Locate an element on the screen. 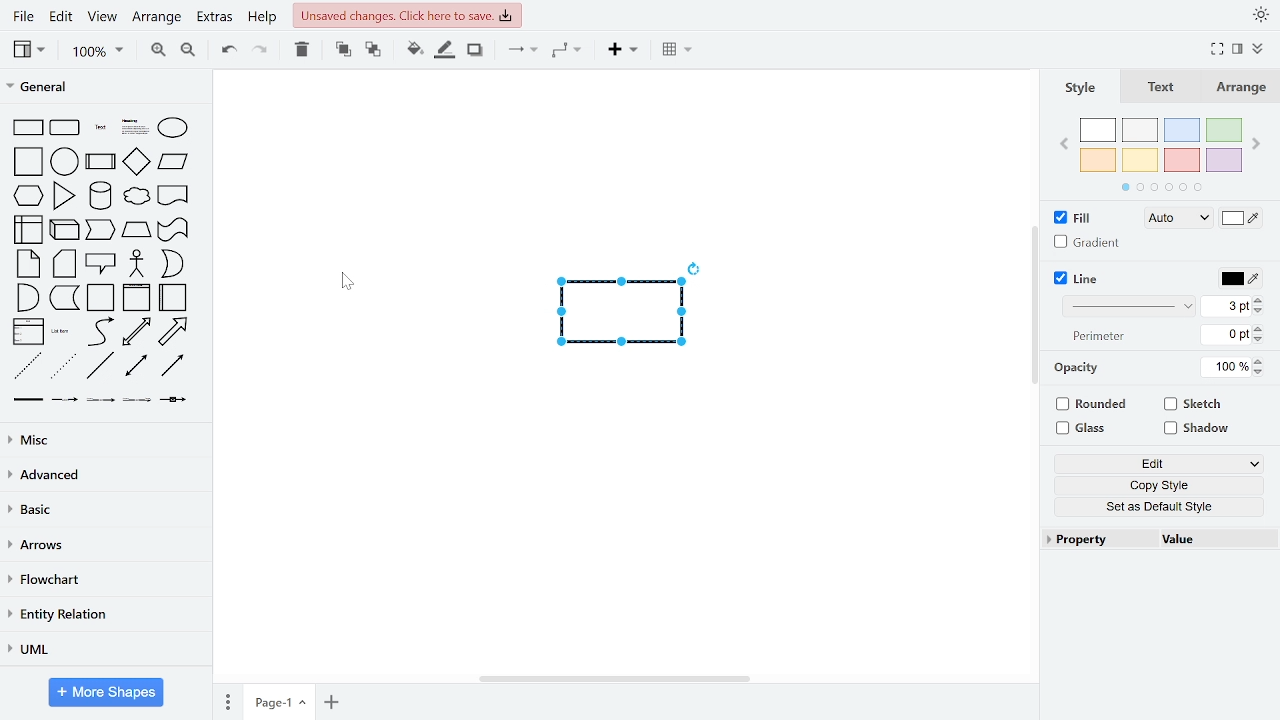  misc is located at coordinates (102, 441).